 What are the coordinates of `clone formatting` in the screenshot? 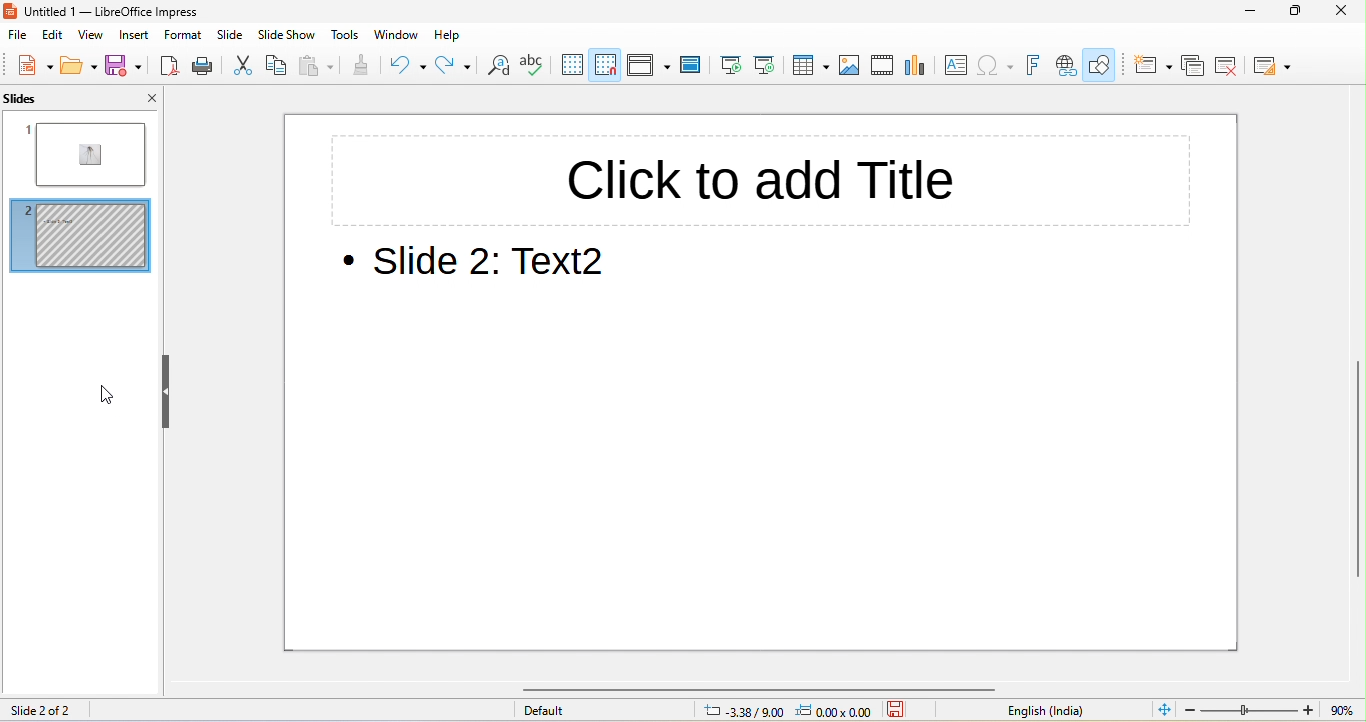 It's located at (362, 69).